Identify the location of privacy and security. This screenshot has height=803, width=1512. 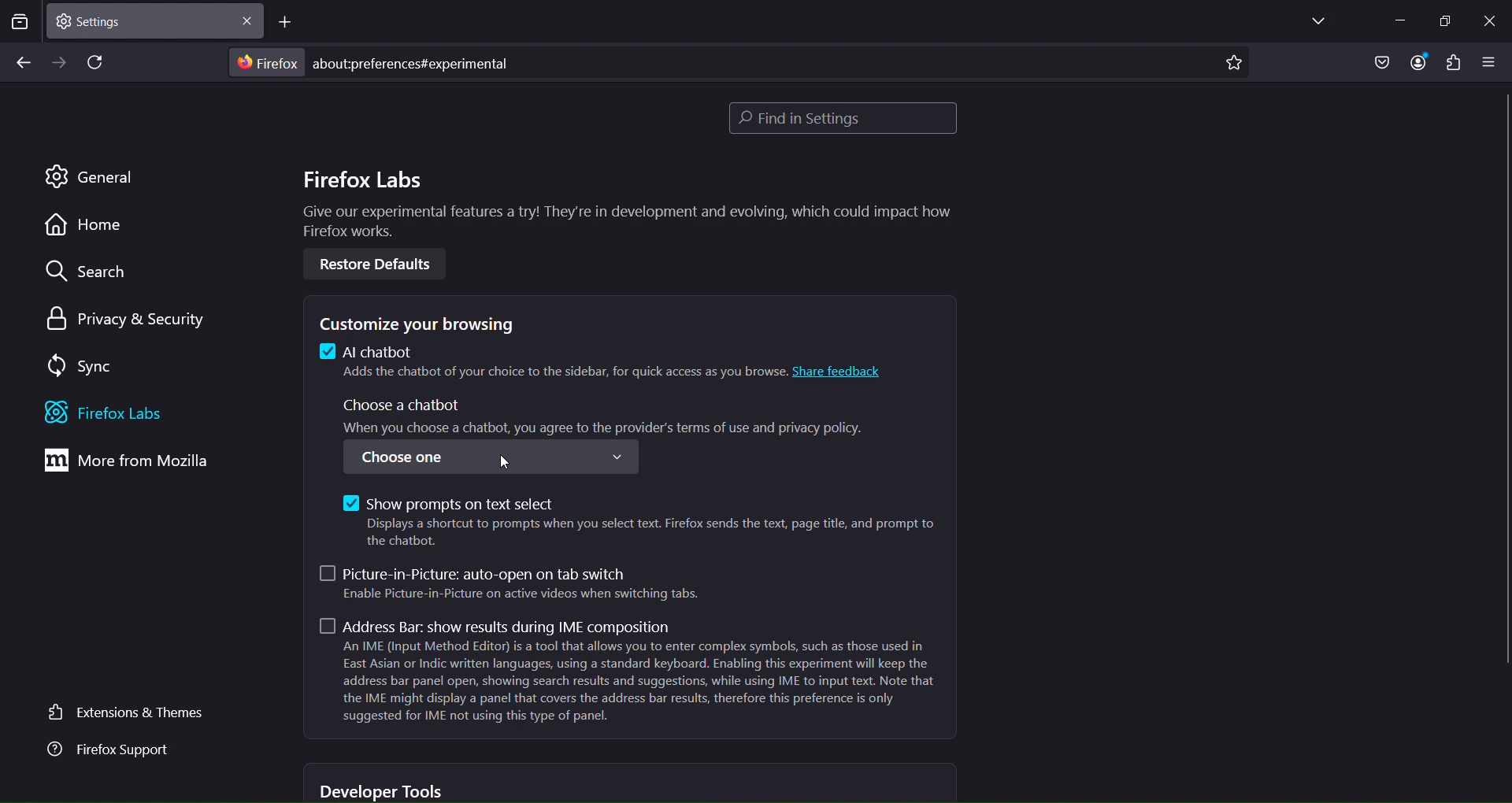
(120, 318).